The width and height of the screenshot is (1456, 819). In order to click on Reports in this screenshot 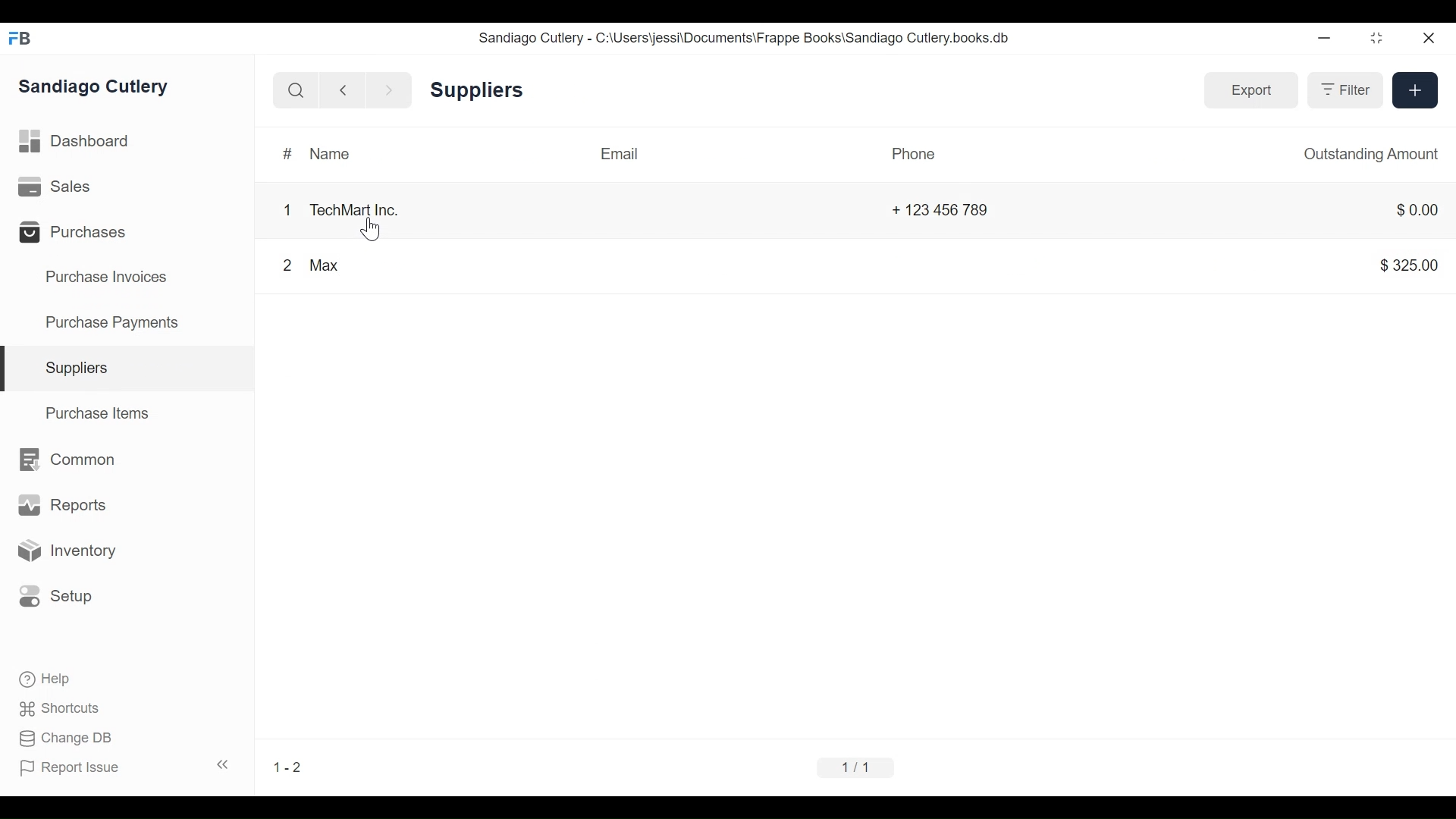, I will do `click(60, 504)`.